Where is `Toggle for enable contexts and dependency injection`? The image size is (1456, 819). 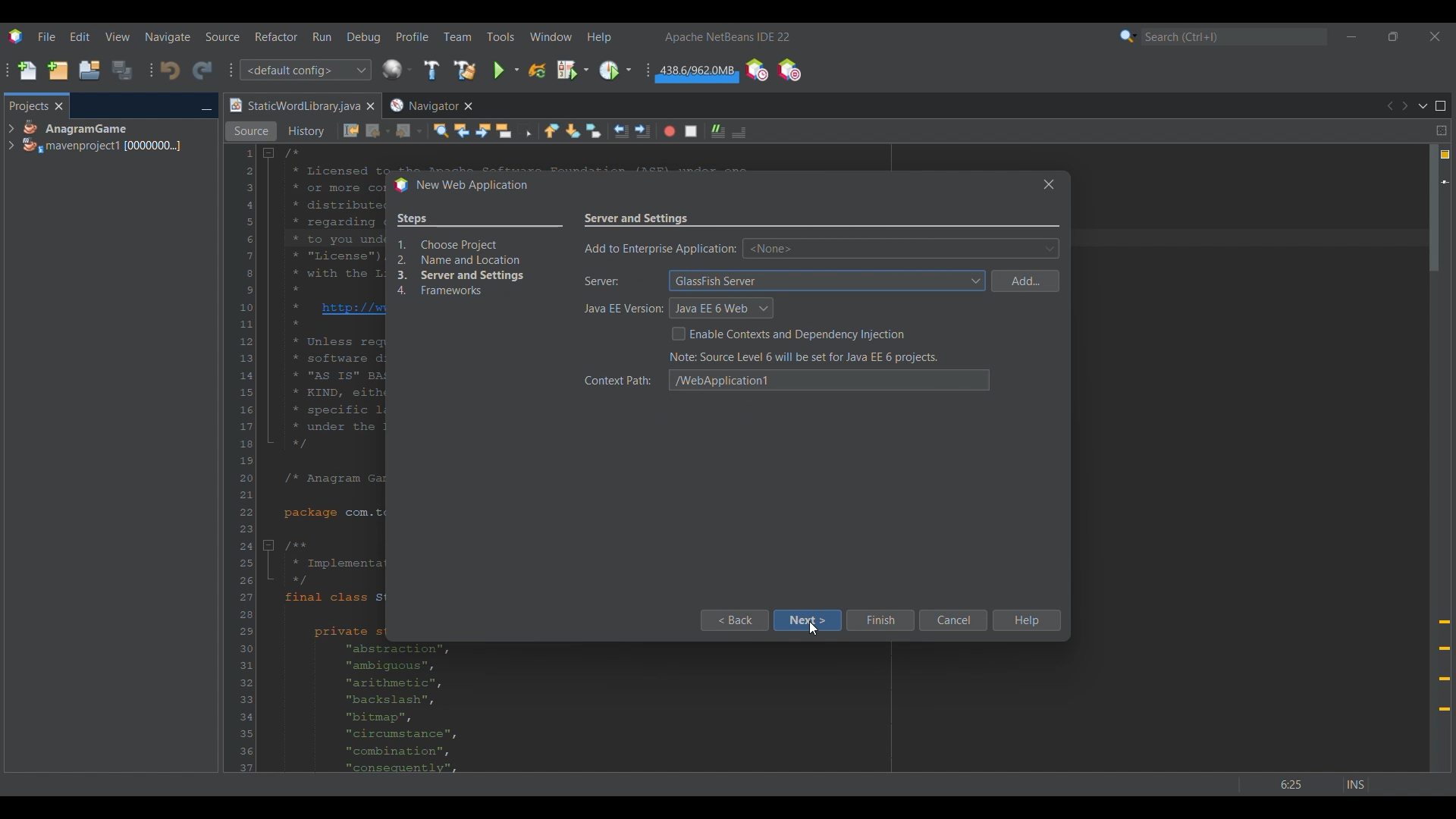 Toggle for enable contexts and dependency injection is located at coordinates (789, 334).